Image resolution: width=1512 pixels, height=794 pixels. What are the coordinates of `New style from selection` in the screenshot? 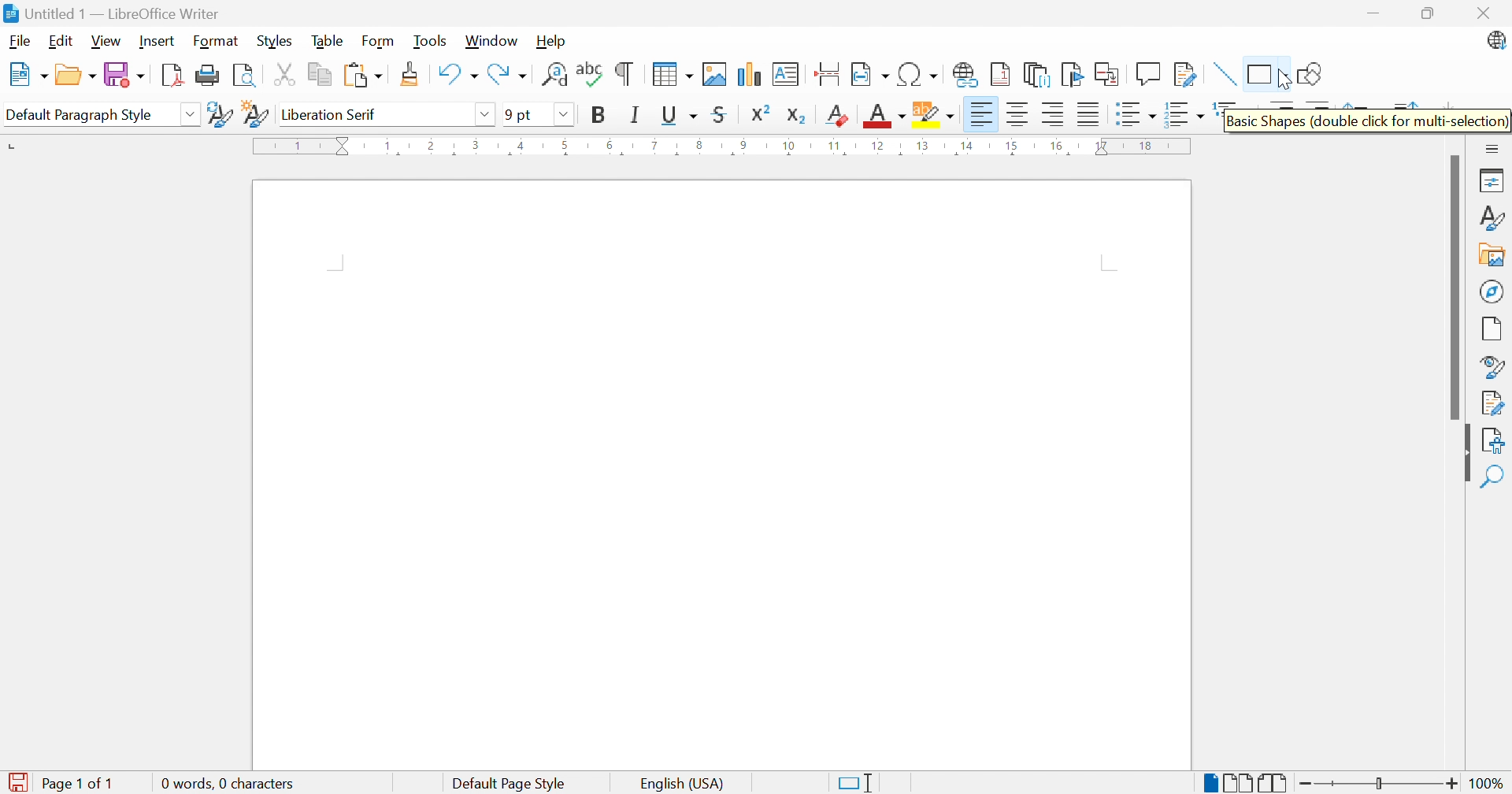 It's located at (255, 116).